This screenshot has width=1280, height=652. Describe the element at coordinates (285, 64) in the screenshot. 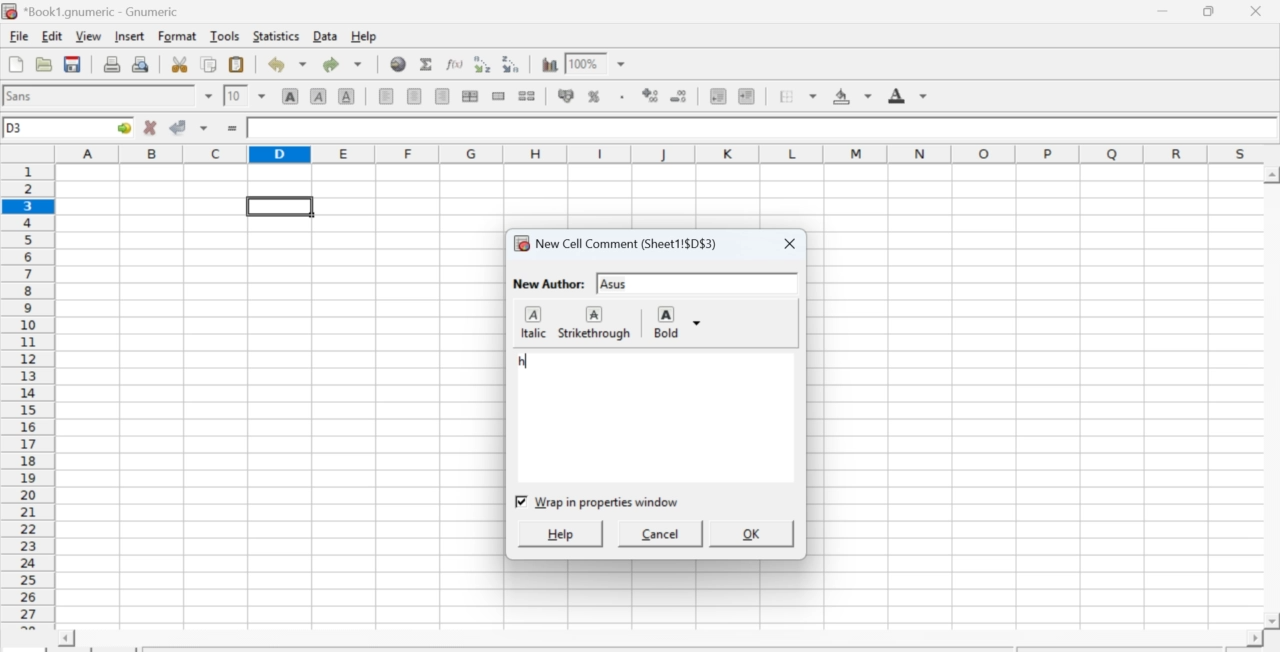

I see `Undo` at that location.